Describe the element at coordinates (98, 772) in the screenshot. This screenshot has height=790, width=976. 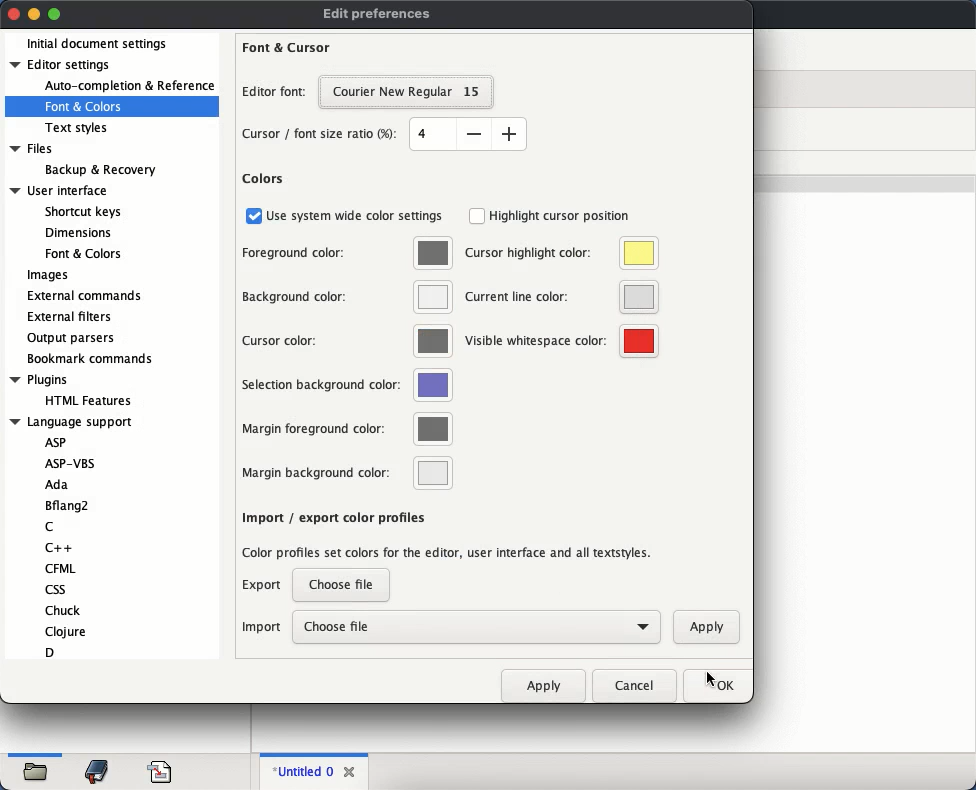
I see `bookmark` at that location.